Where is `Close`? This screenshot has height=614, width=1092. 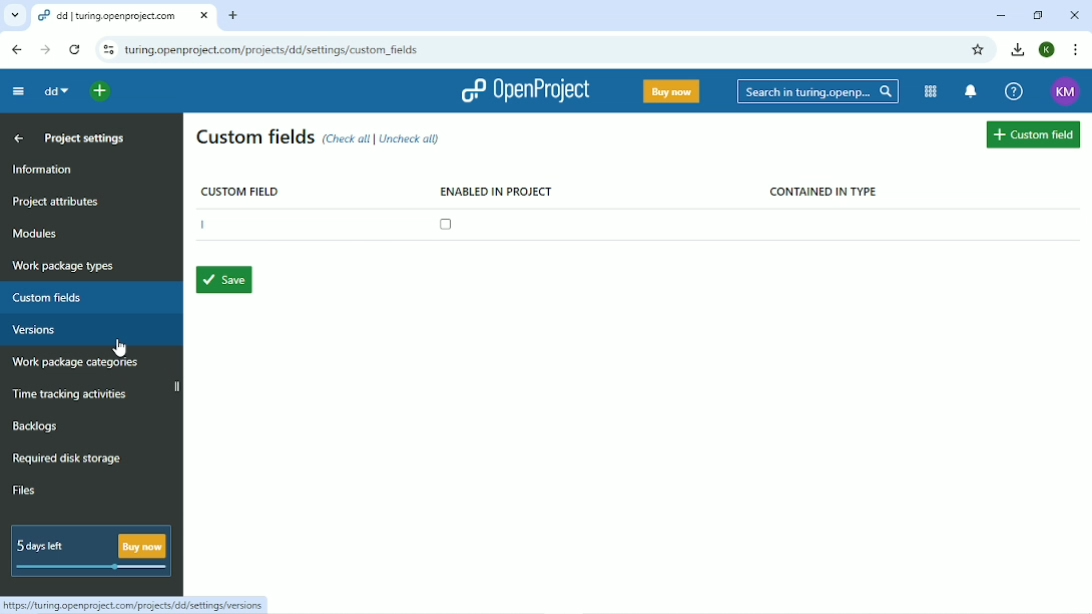 Close is located at coordinates (1074, 15).